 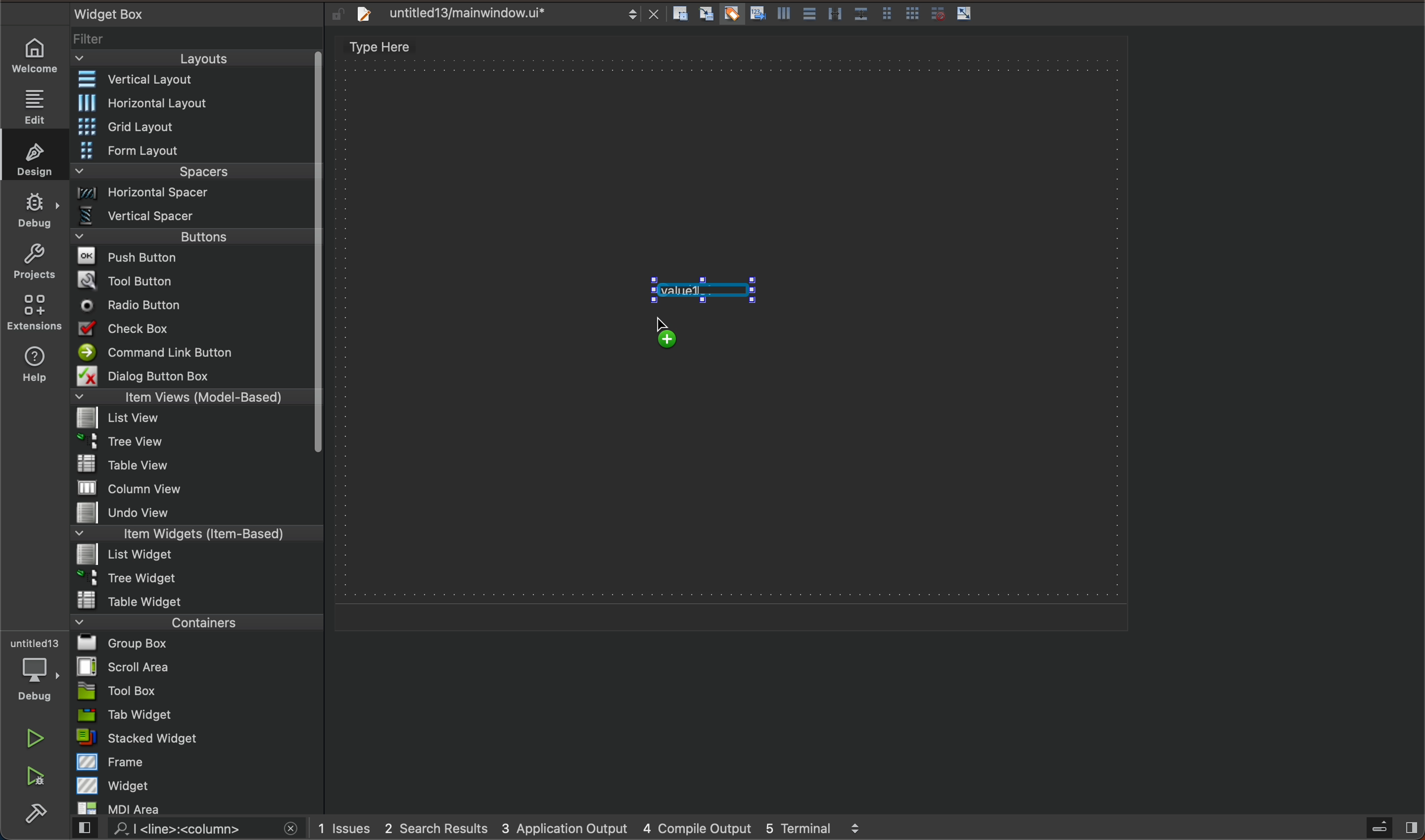 What do you see at coordinates (730, 15) in the screenshot?
I see `` at bounding box center [730, 15].